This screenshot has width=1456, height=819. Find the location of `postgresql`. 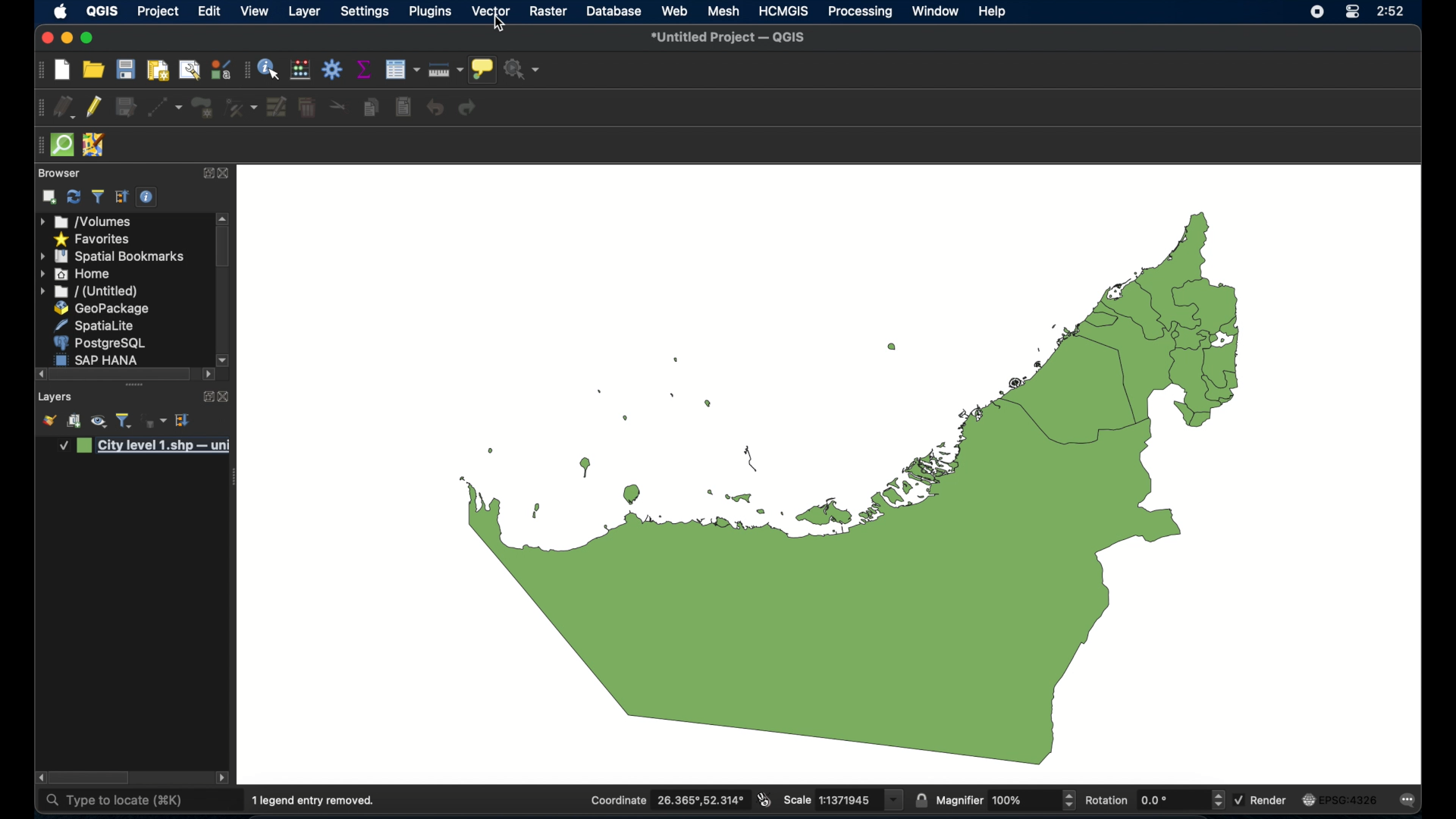

postgresql is located at coordinates (102, 343).